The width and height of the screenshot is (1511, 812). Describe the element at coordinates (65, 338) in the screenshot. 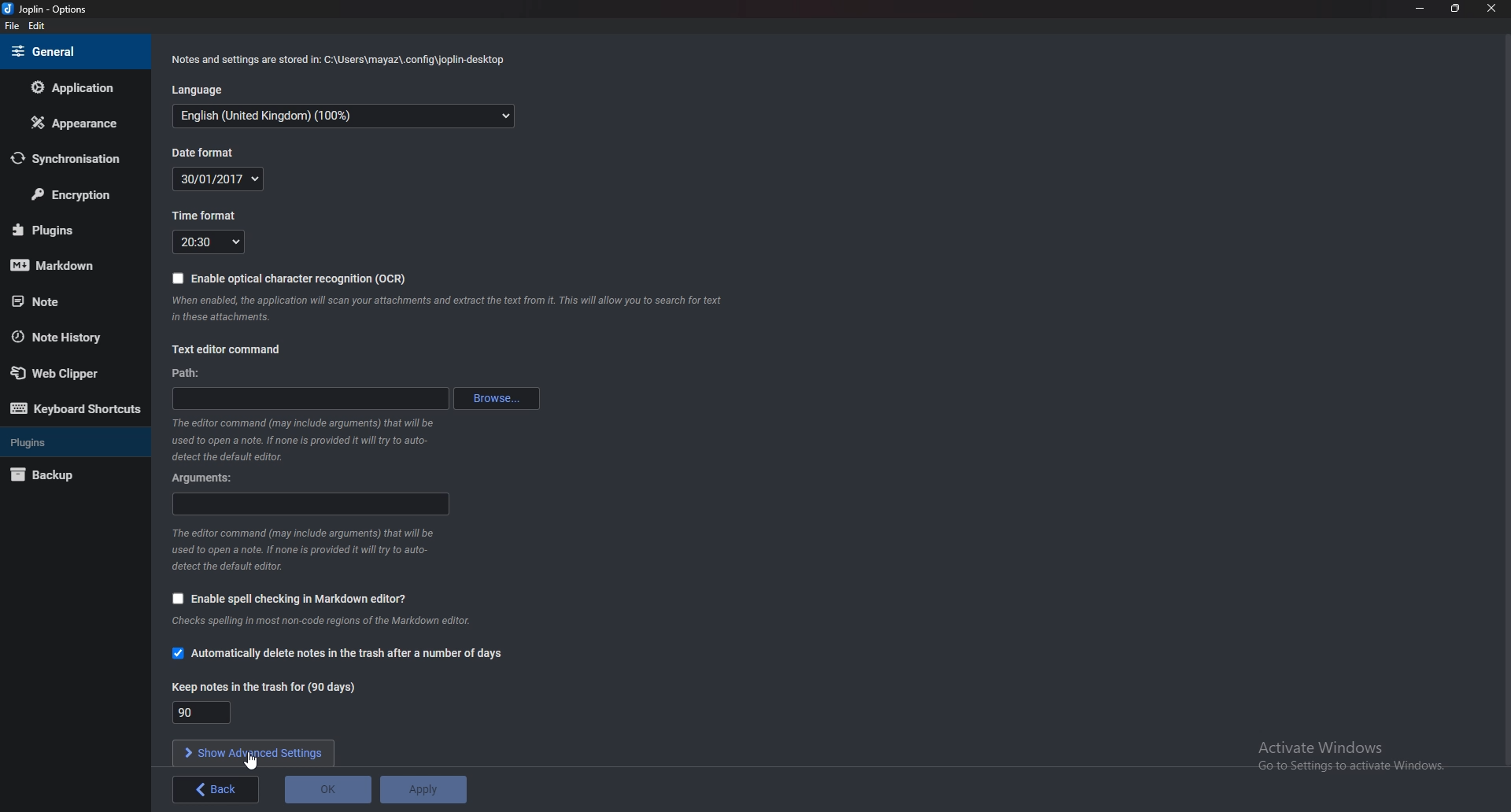

I see `Note history` at that location.